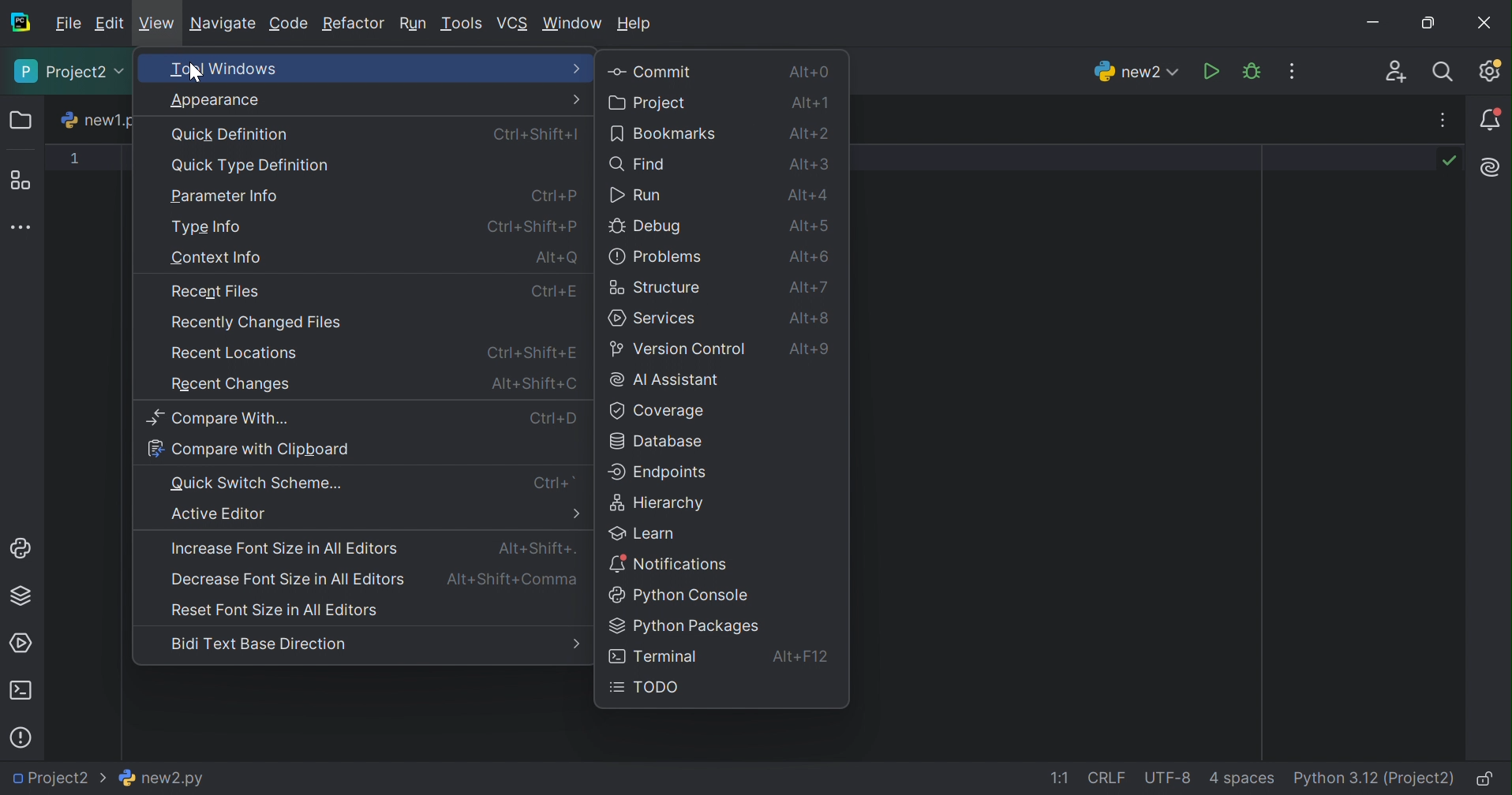 The width and height of the screenshot is (1512, 795). What do you see at coordinates (1167, 777) in the screenshot?
I see `UTF-8` at bounding box center [1167, 777].